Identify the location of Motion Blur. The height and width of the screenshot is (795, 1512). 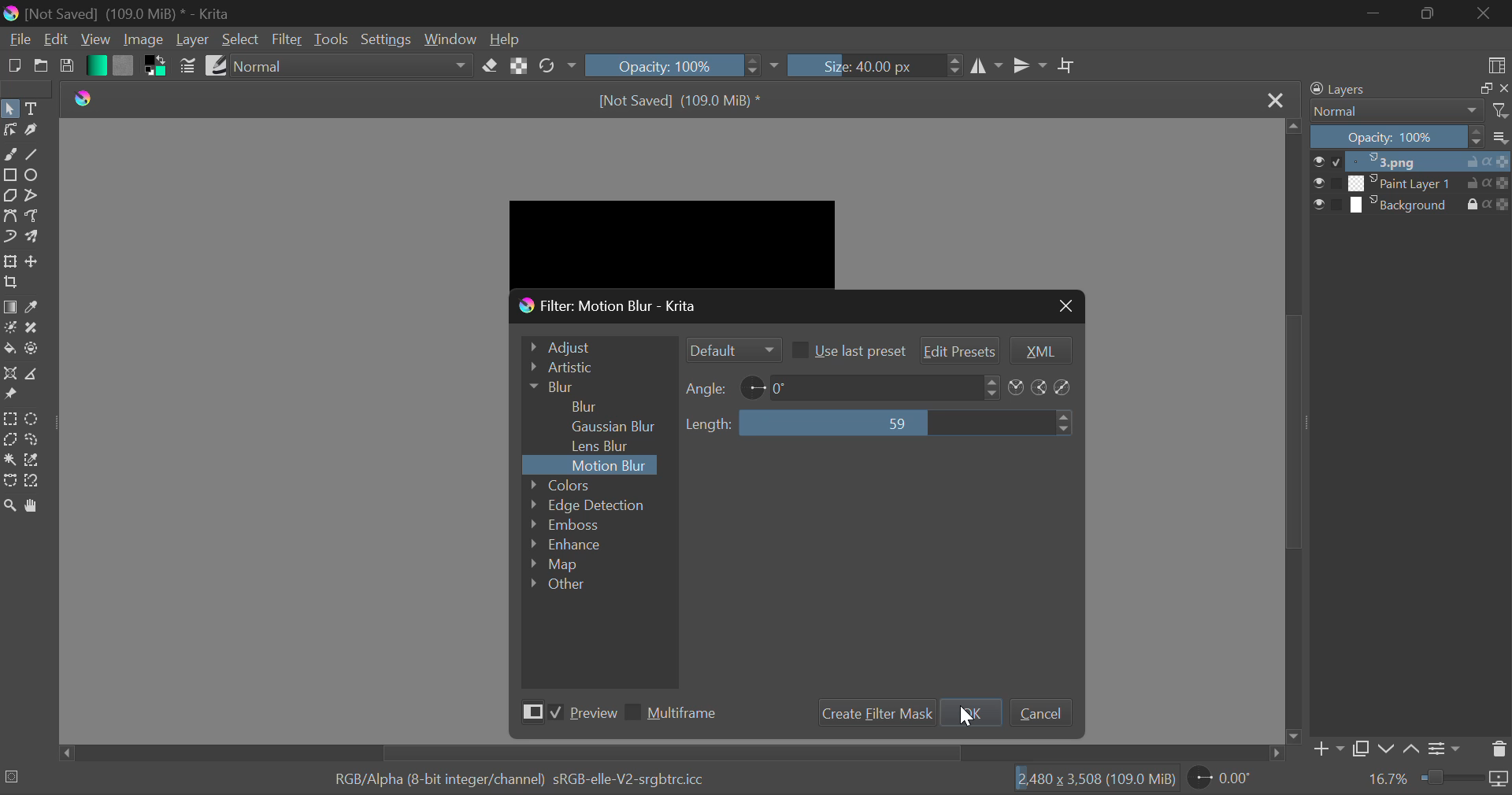
(611, 466).